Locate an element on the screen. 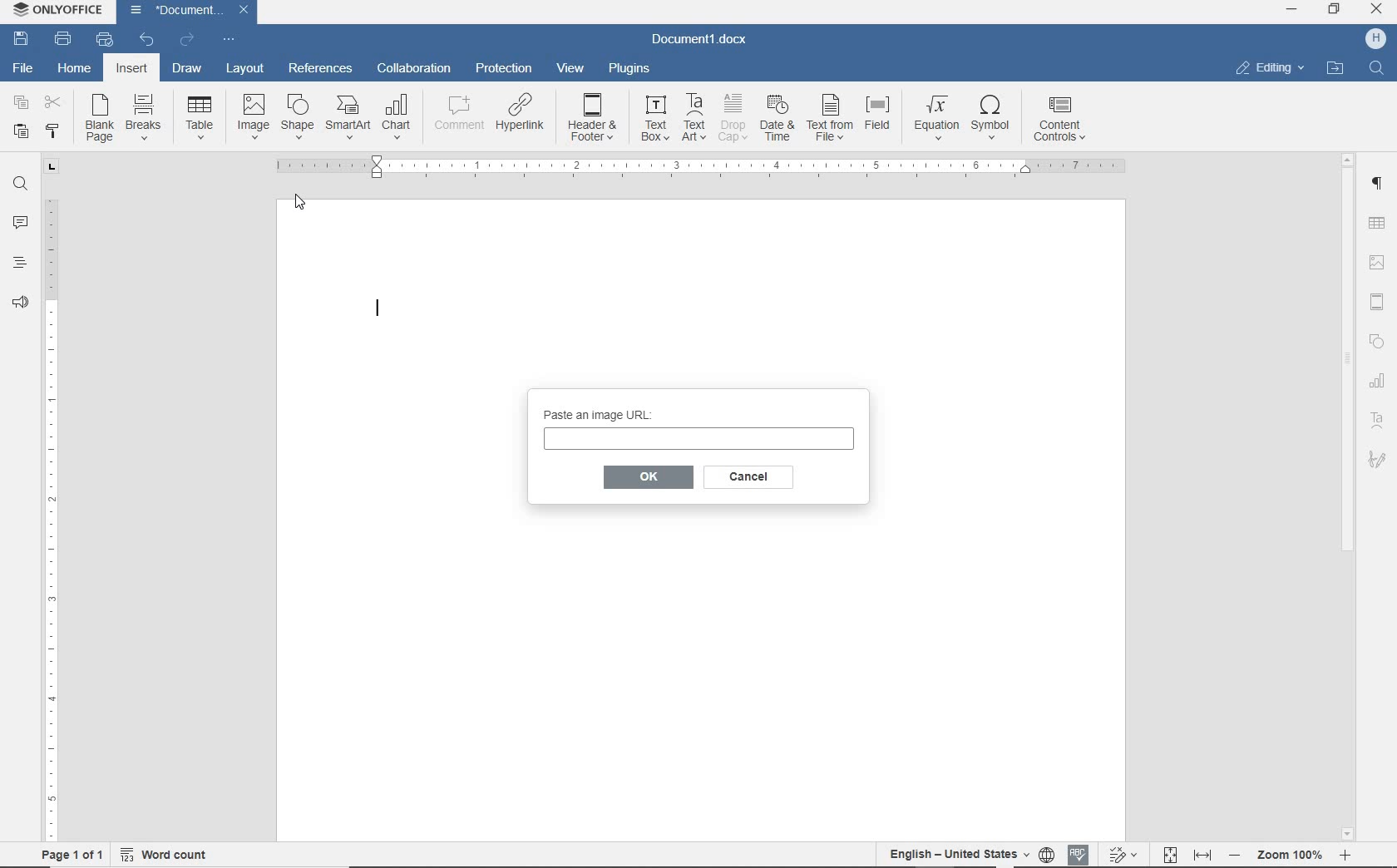 This screenshot has height=868, width=1397. blank page is located at coordinates (98, 117).